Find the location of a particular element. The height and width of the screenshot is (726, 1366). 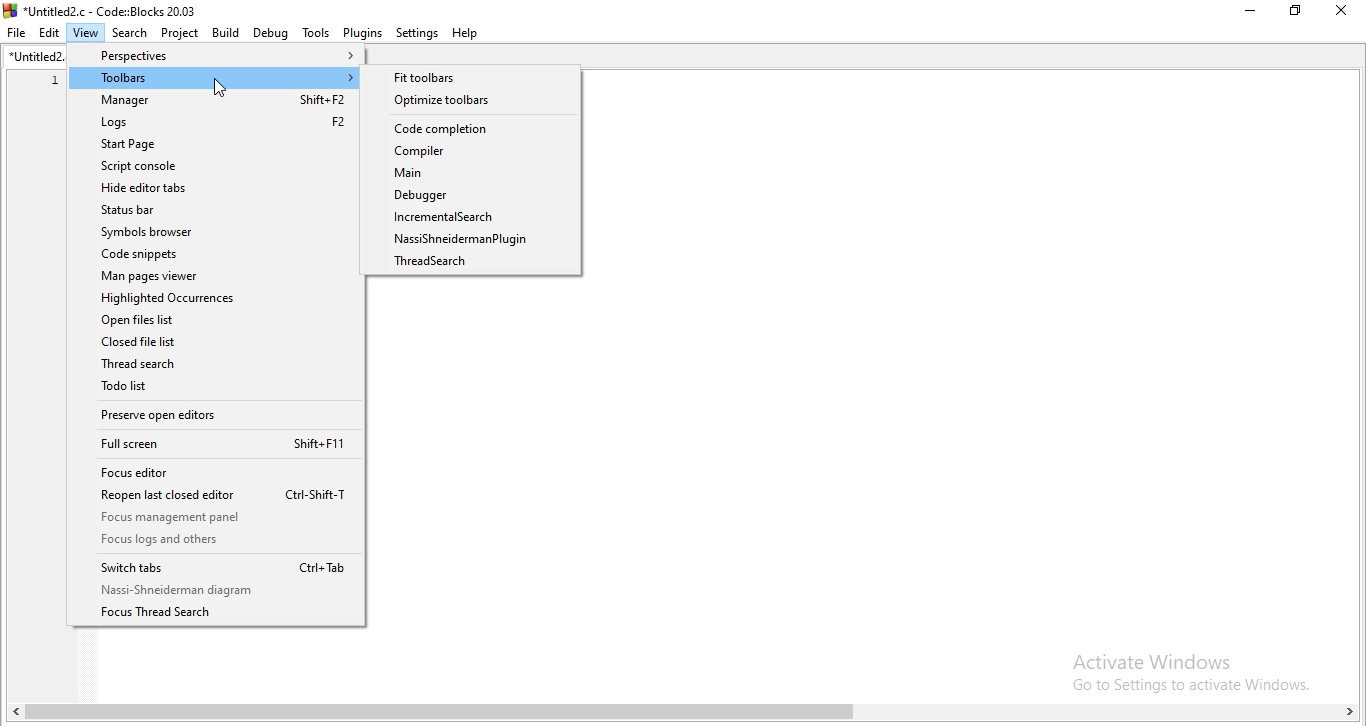

Build  is located at coordinates (226, 33).